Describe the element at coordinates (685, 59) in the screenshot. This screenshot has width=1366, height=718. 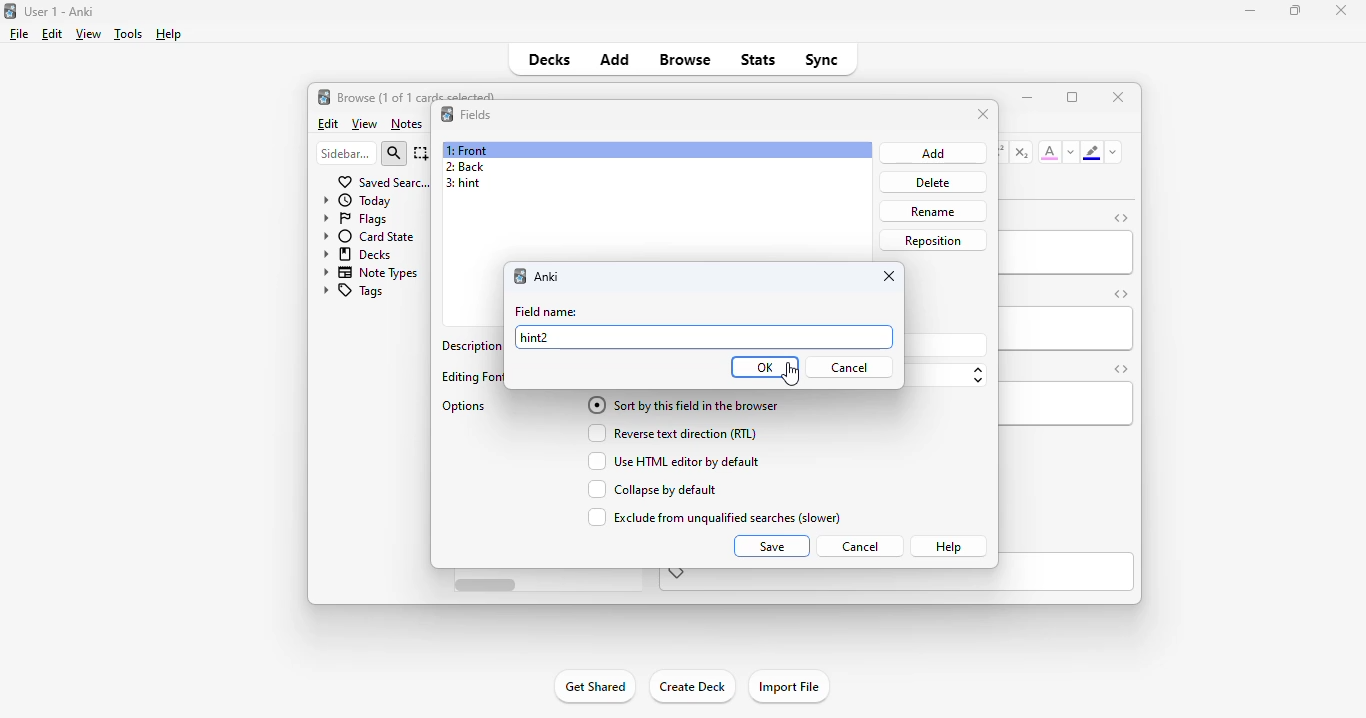
I see `browse` at that location.